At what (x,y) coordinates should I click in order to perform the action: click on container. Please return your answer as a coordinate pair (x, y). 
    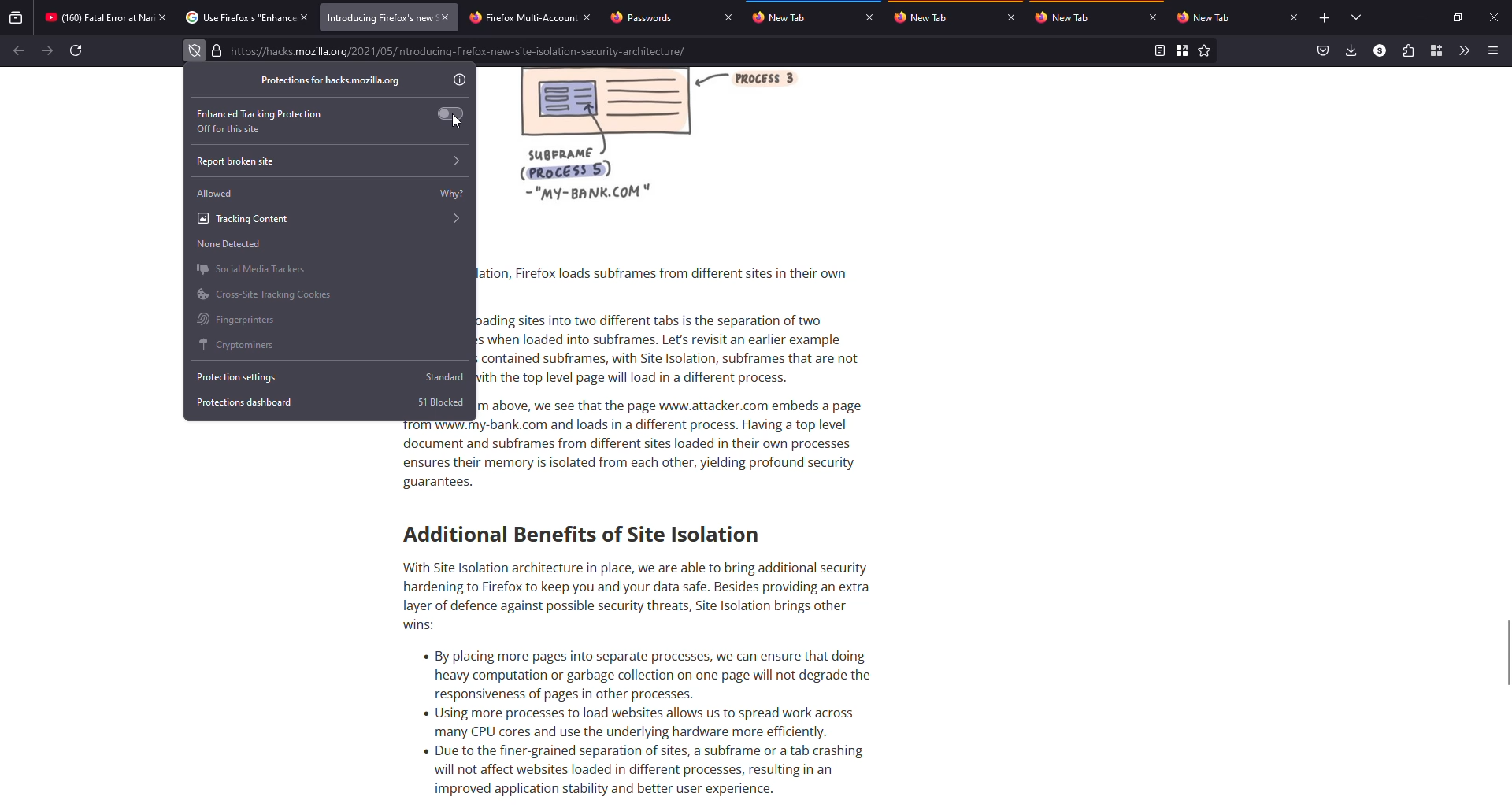
    Looking at the image, I should click on (1436, 50).